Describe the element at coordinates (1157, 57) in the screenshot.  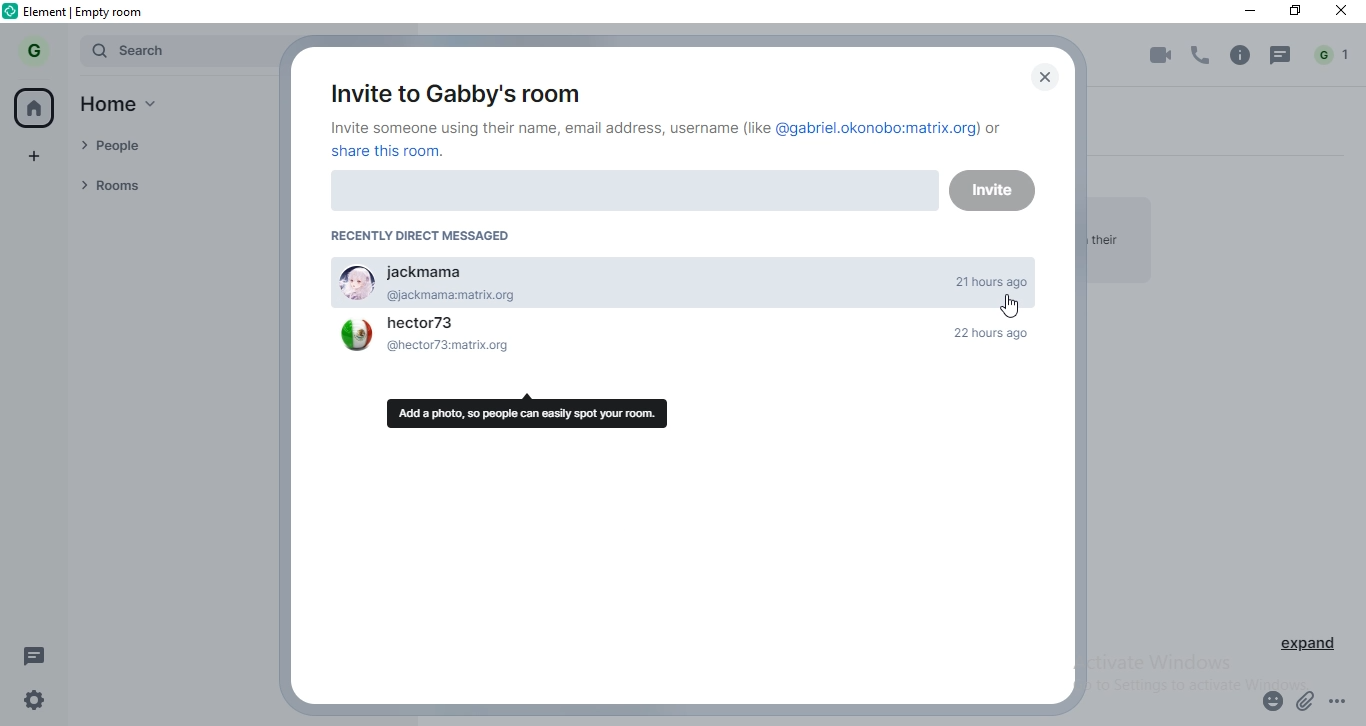
I see `video call` at that location.